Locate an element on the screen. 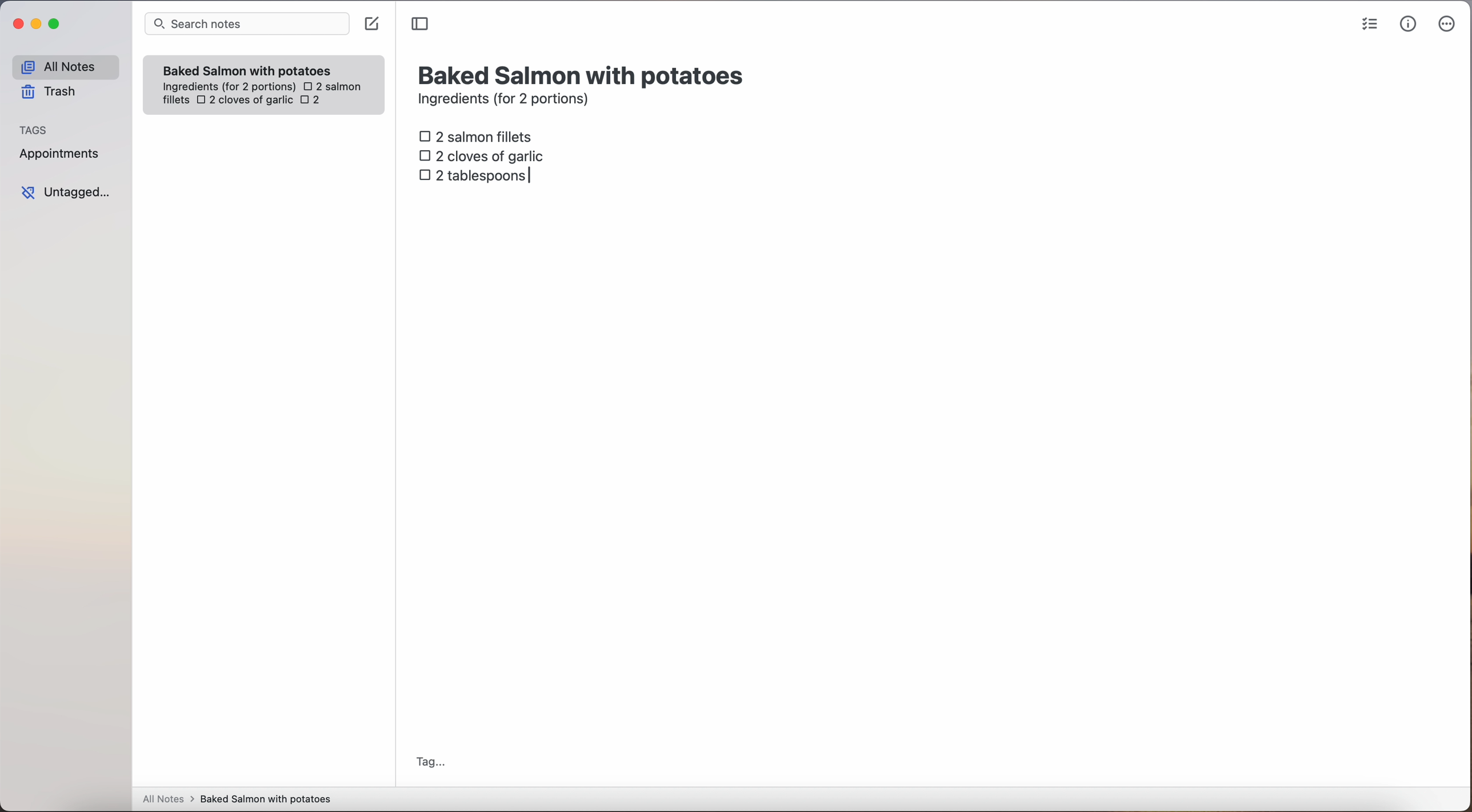 The image size is (1472, 812). 2 cloves of garlic is located at coordinates (485, 154).